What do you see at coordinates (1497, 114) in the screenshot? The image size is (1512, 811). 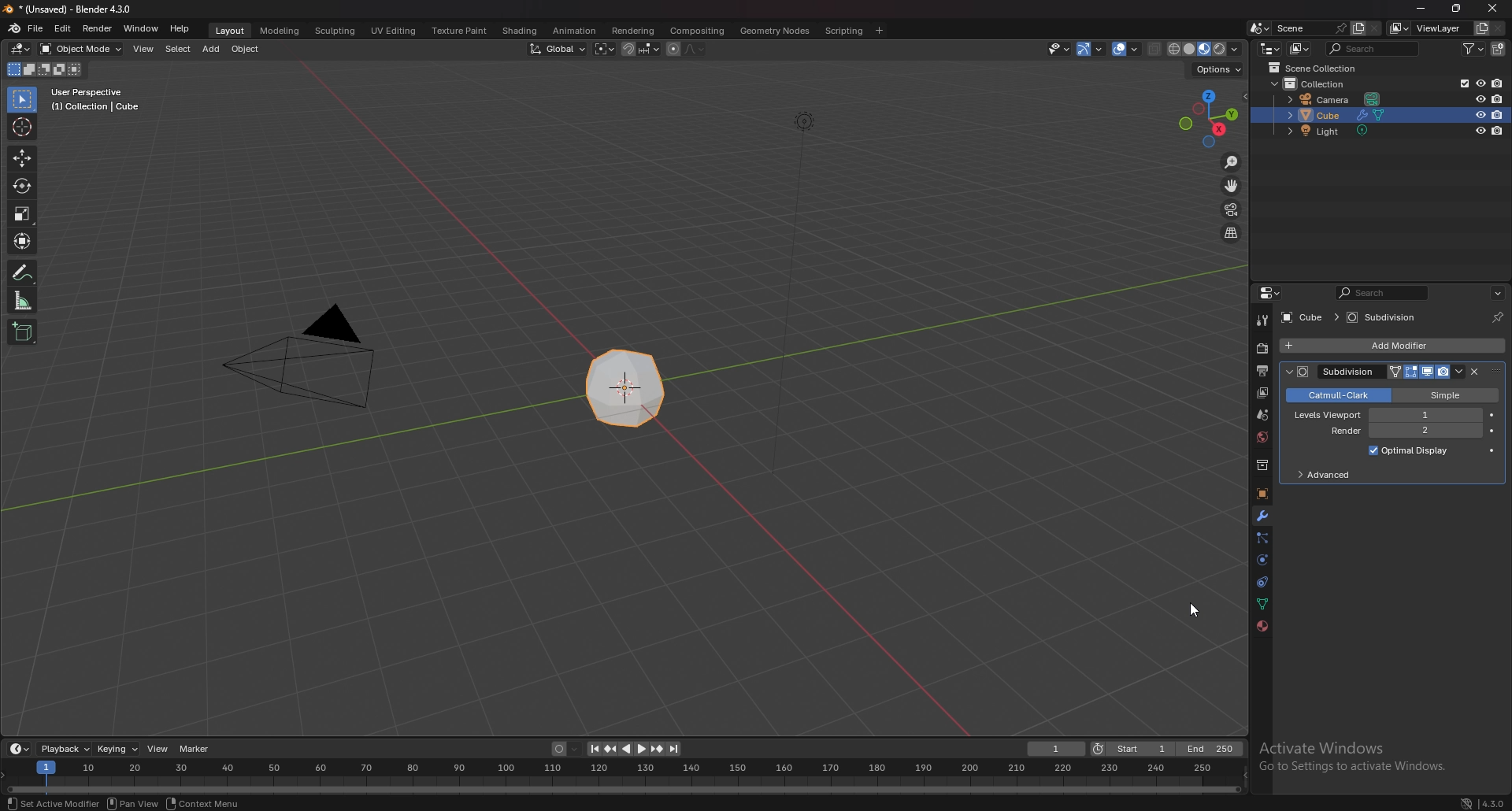 I see `disable in renders` at bounding box center [1497, 114].